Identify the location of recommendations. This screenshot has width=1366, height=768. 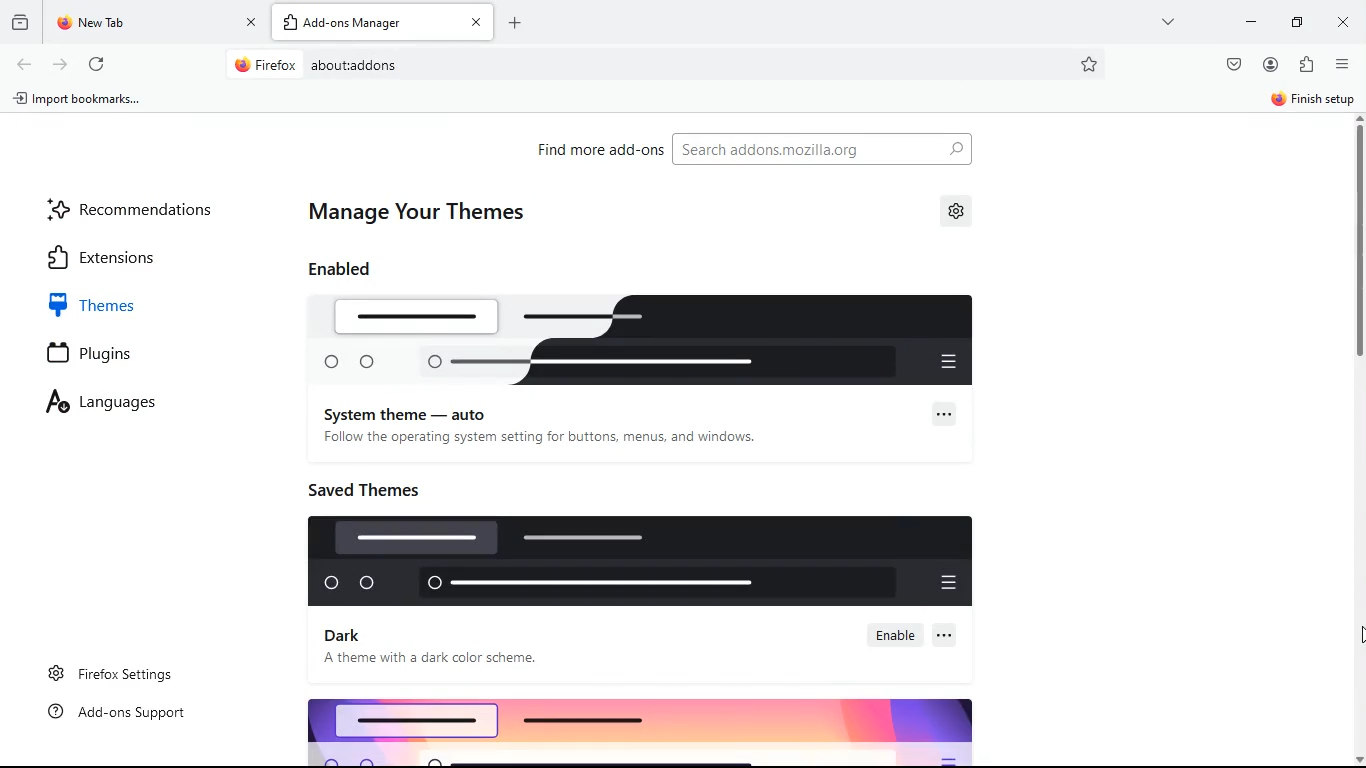
(136, 208).